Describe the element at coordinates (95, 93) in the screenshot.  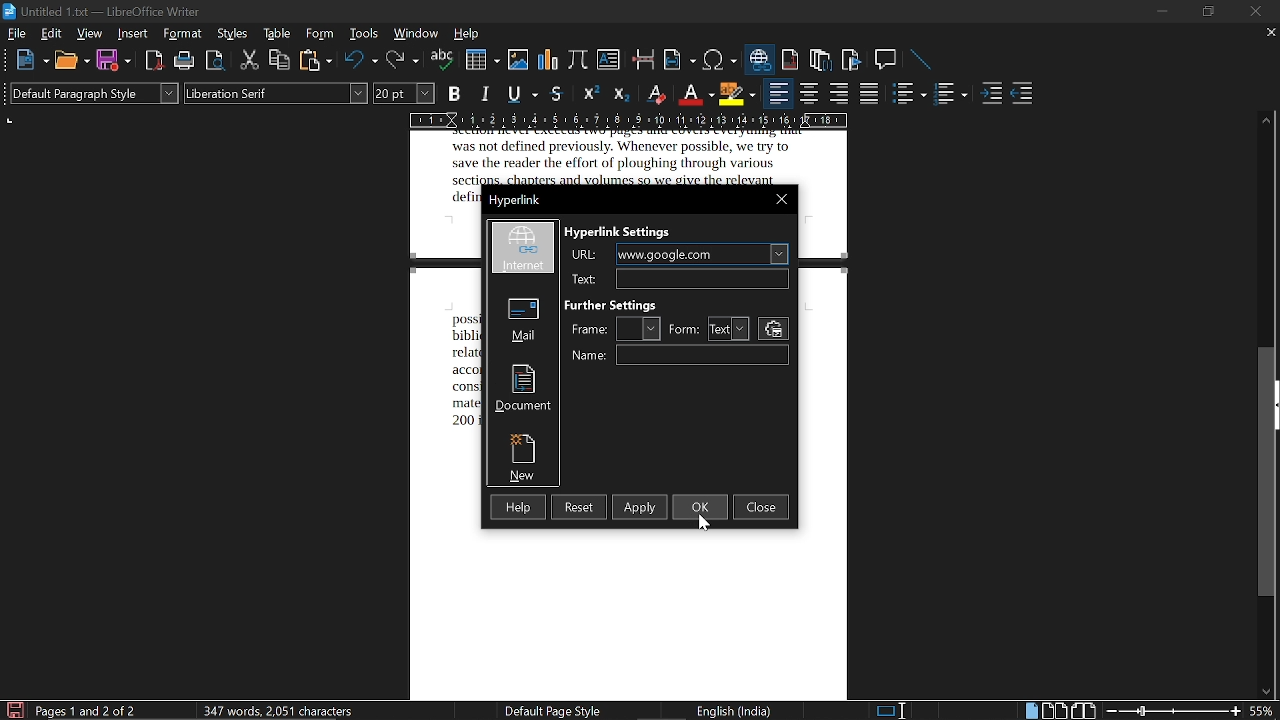
I see `paragraph style` at that location.